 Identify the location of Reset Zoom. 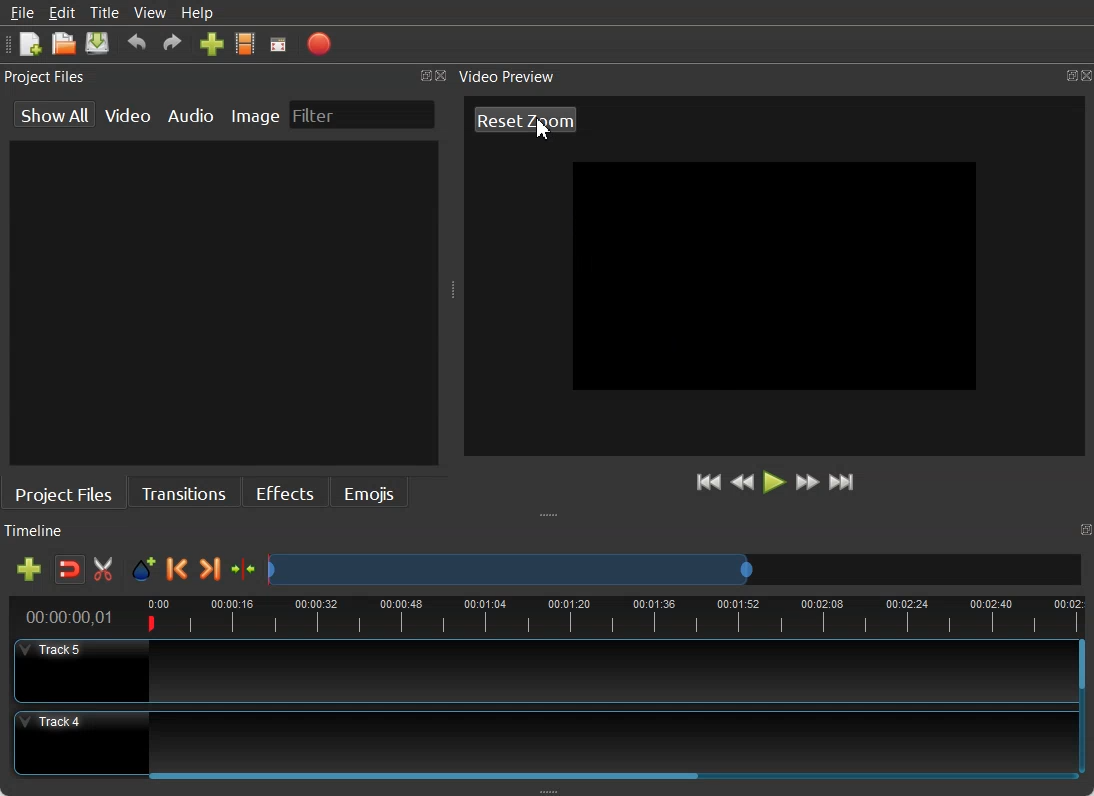
(526, 120).